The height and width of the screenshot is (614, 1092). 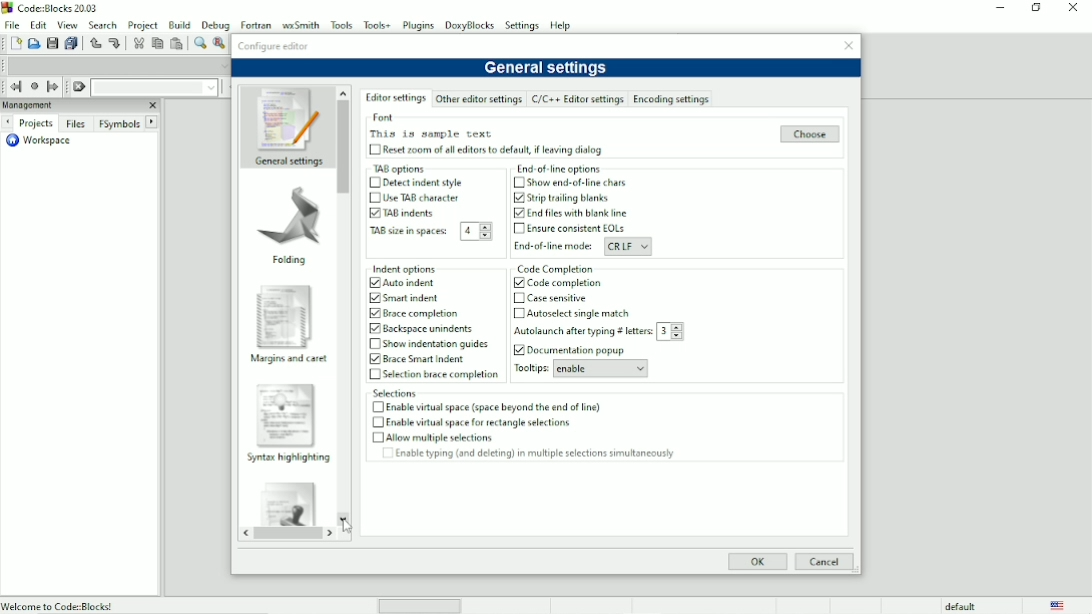 What do you see at coordinates (285, 117) in the screenshot?
I see `Image` at bounding box center [285, 117].